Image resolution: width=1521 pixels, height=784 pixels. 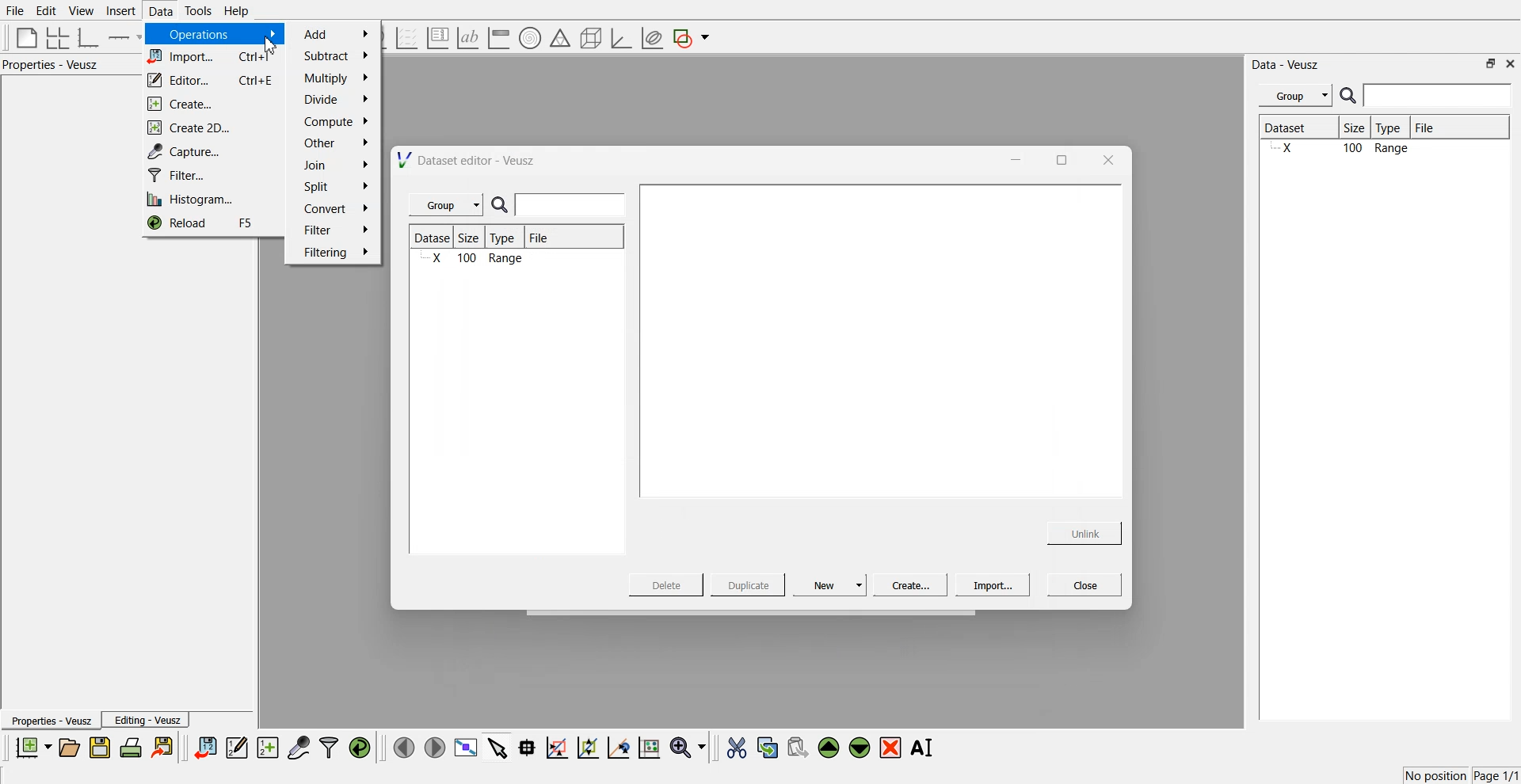 I want to click on Close, so click(x=1085, y=584).